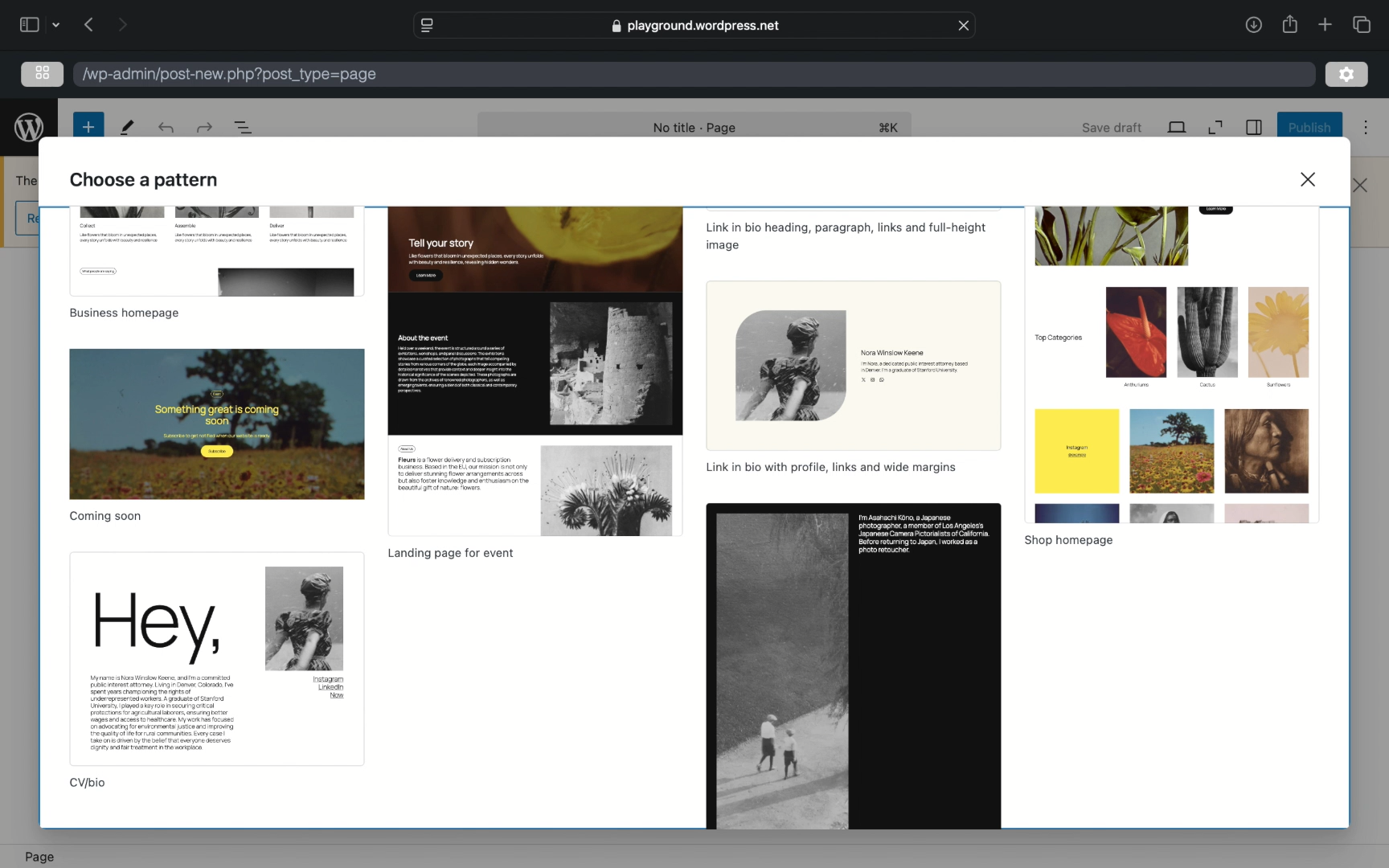 The height and width of the screenshot is (868, 1389). I want to click on preview, so click(215, 252).